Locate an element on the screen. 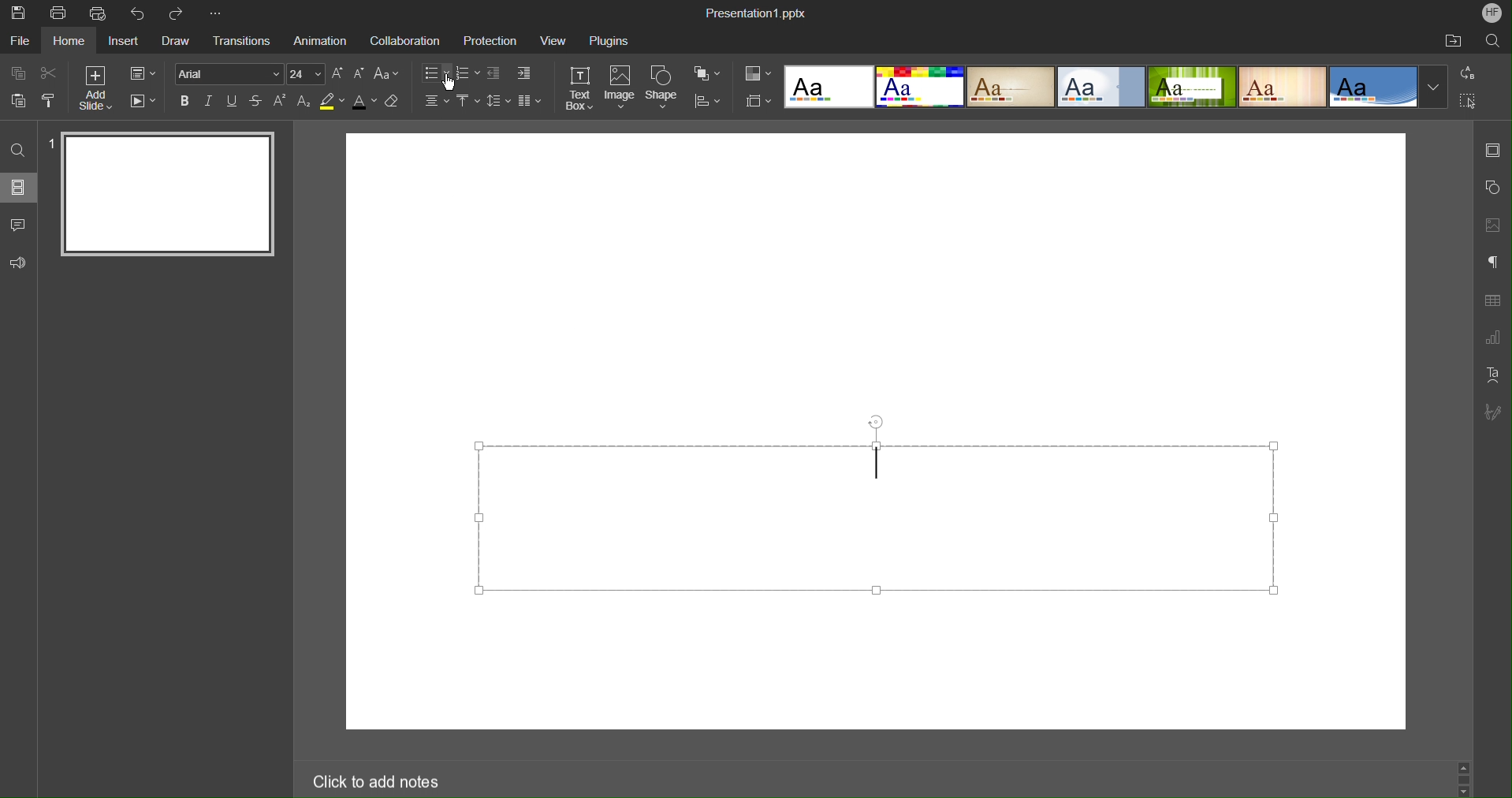  Image is located at coordinates (619, 88).